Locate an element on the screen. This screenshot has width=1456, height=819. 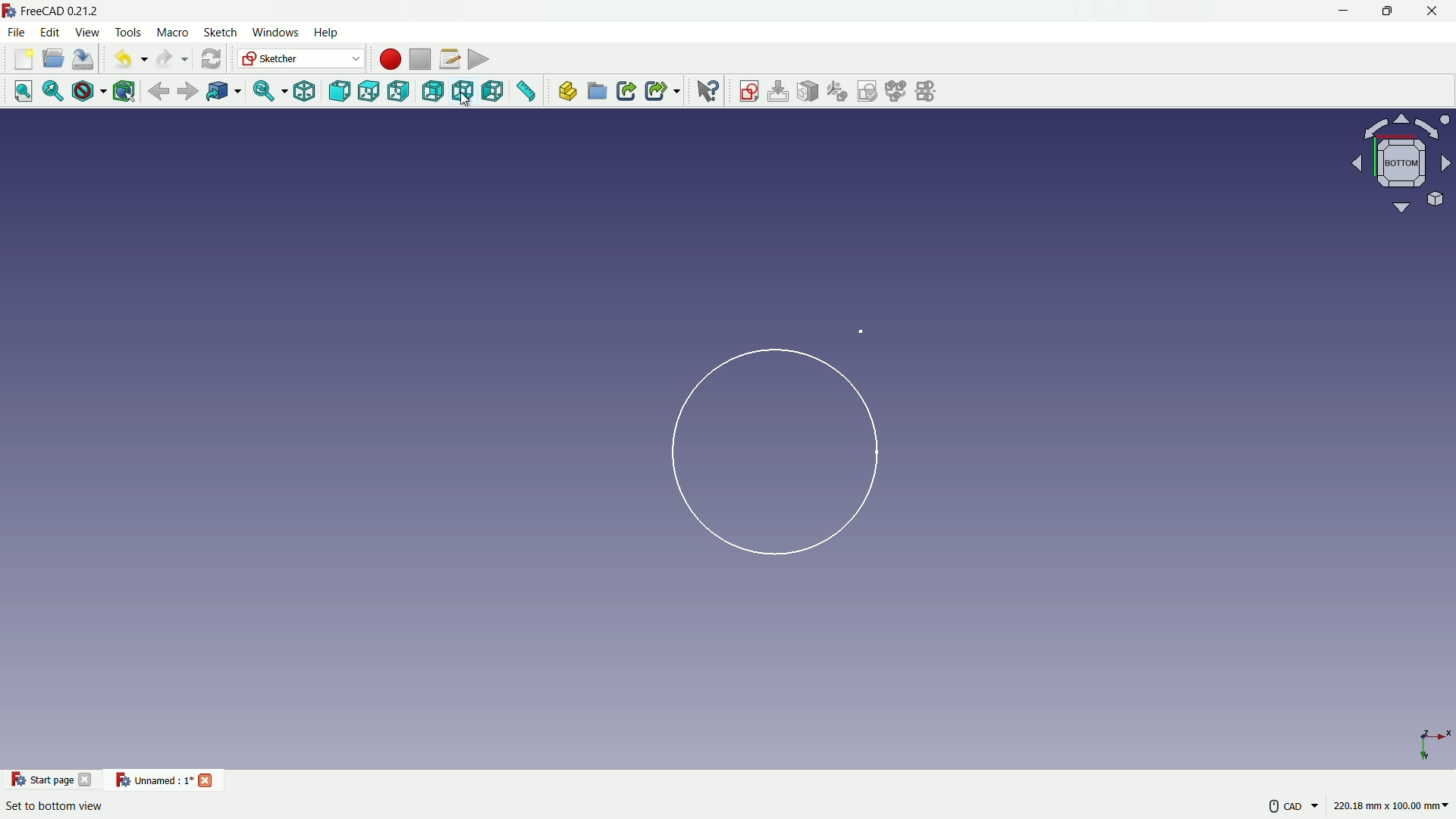
changed view is located at coordinates (762, 445).